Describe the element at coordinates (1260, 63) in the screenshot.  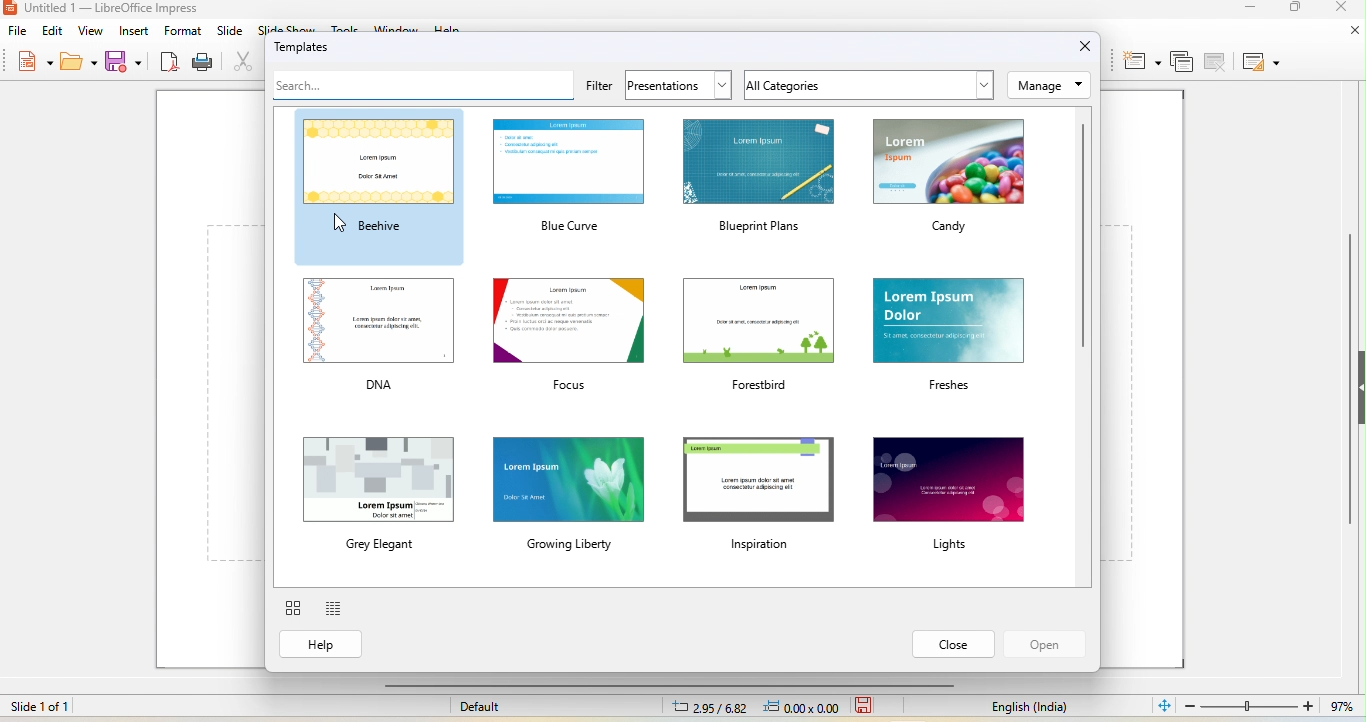
I see `slide layout` at that location.